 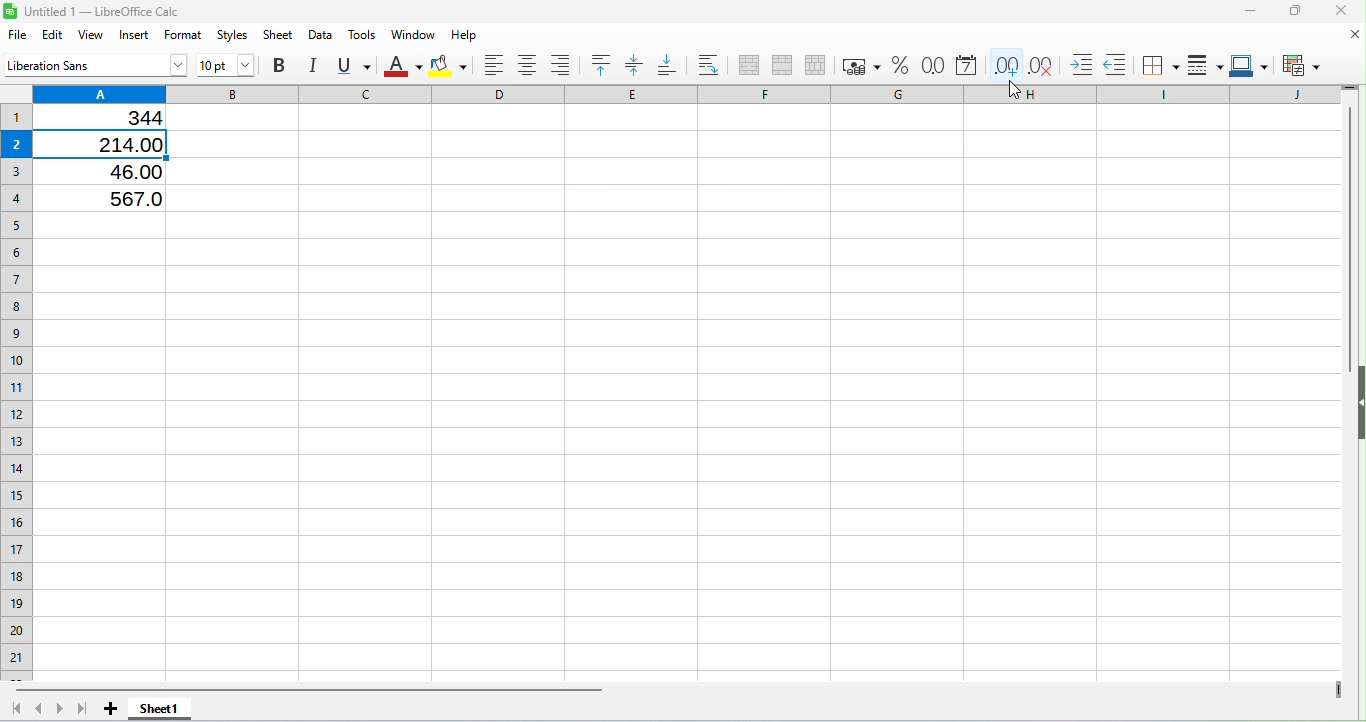 I want to click on Tools, so click(x=360, y=33).